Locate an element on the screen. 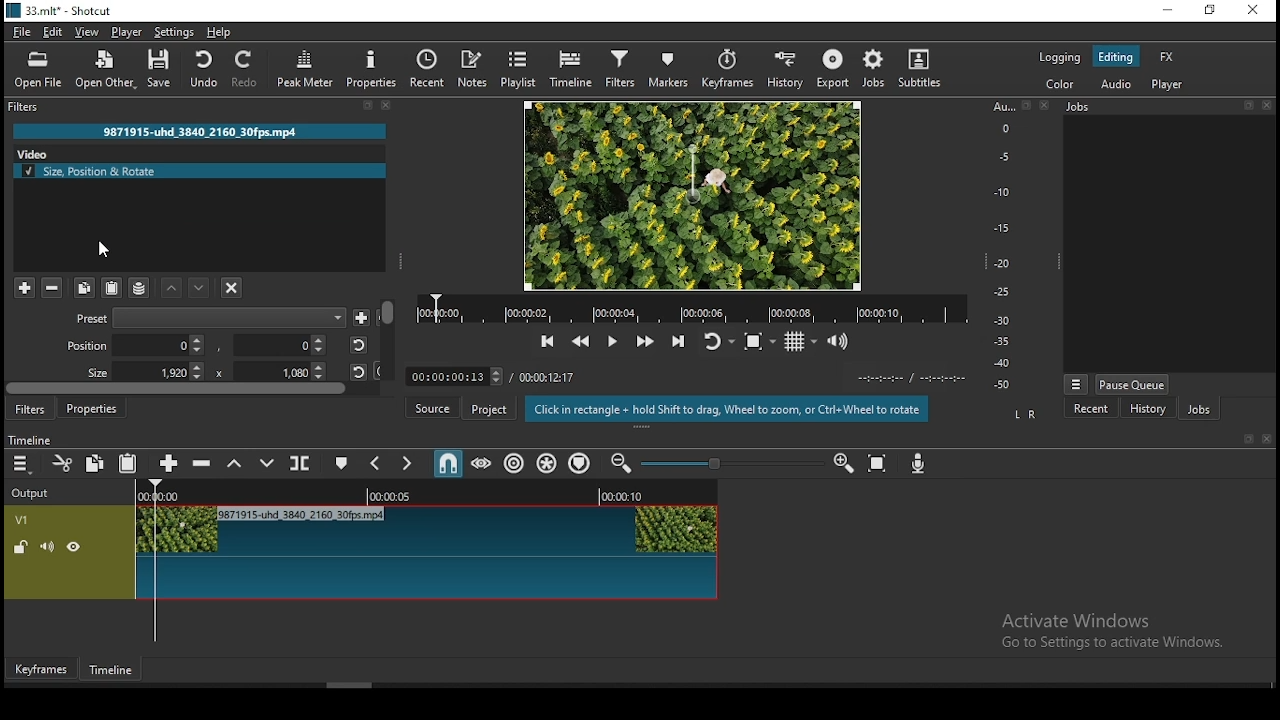 This screenshot has width=1280, height=720. paste is located at coordinates (130, 462).